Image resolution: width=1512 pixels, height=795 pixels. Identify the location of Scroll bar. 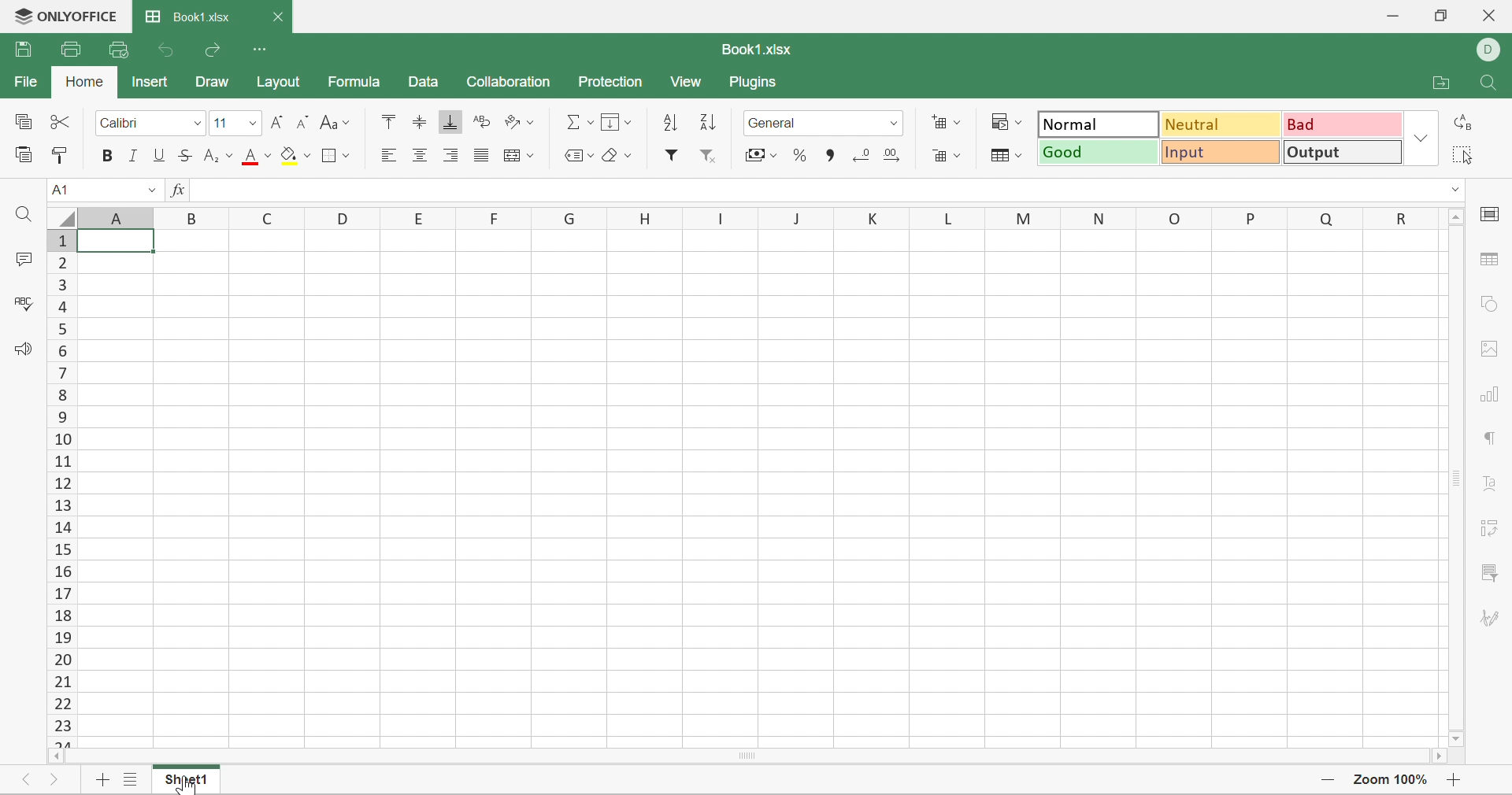
(1456, 478).